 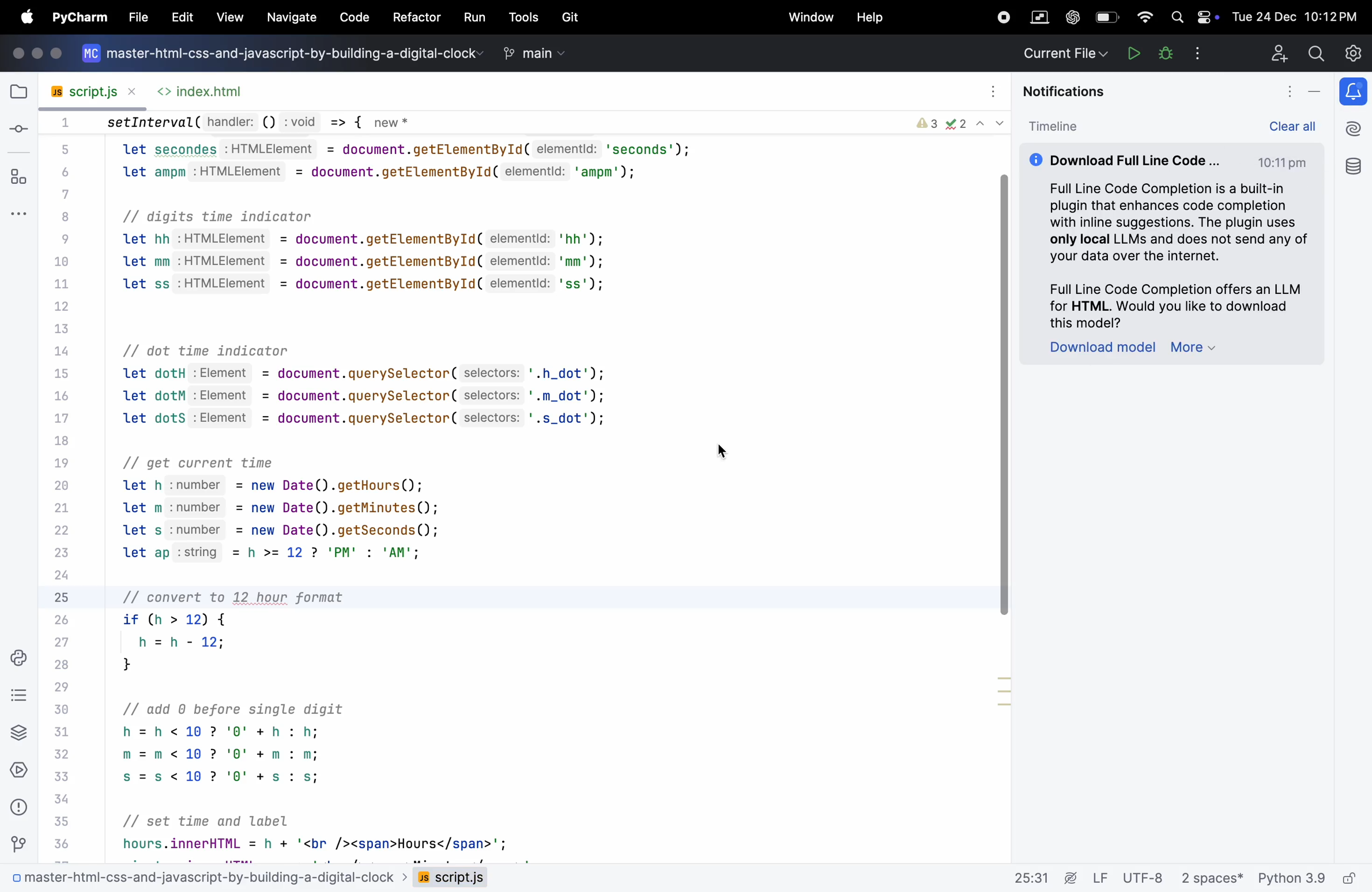 I want to click on main, so click(x=529, y=53).